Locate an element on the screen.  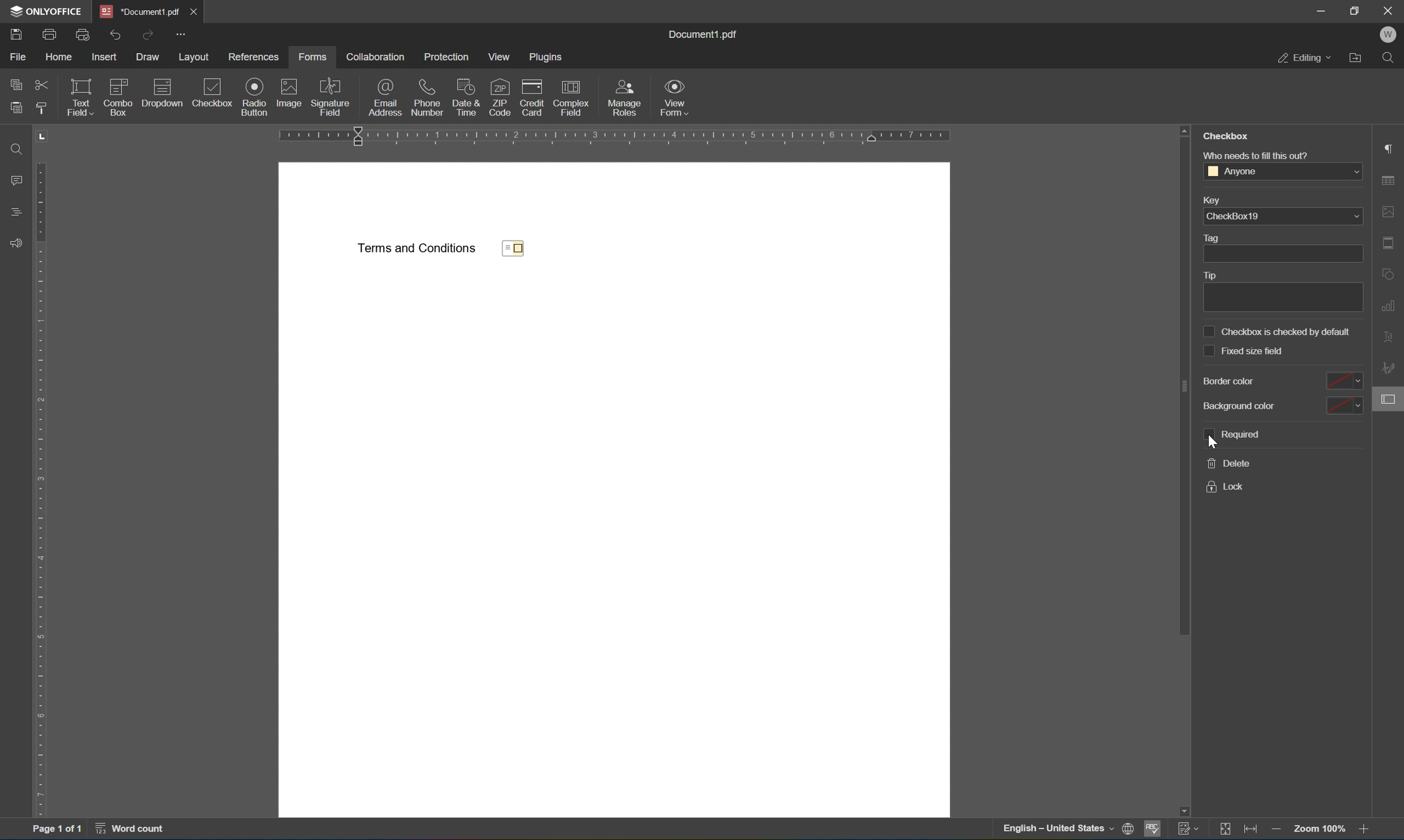
save is located at coordinates (18, 35).